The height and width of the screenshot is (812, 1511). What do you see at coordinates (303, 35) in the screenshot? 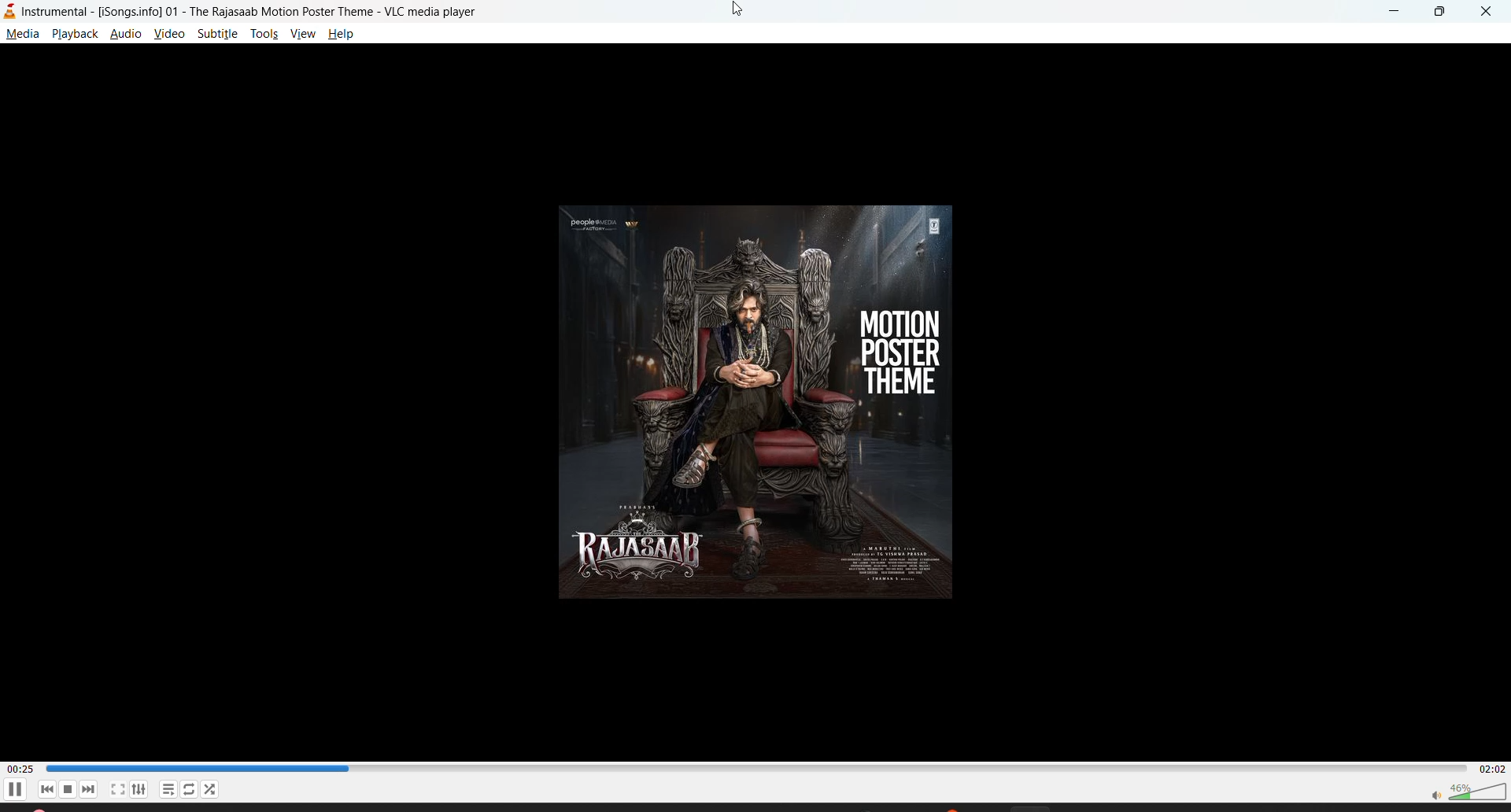
I see `view` at bounding box center [303, 35].